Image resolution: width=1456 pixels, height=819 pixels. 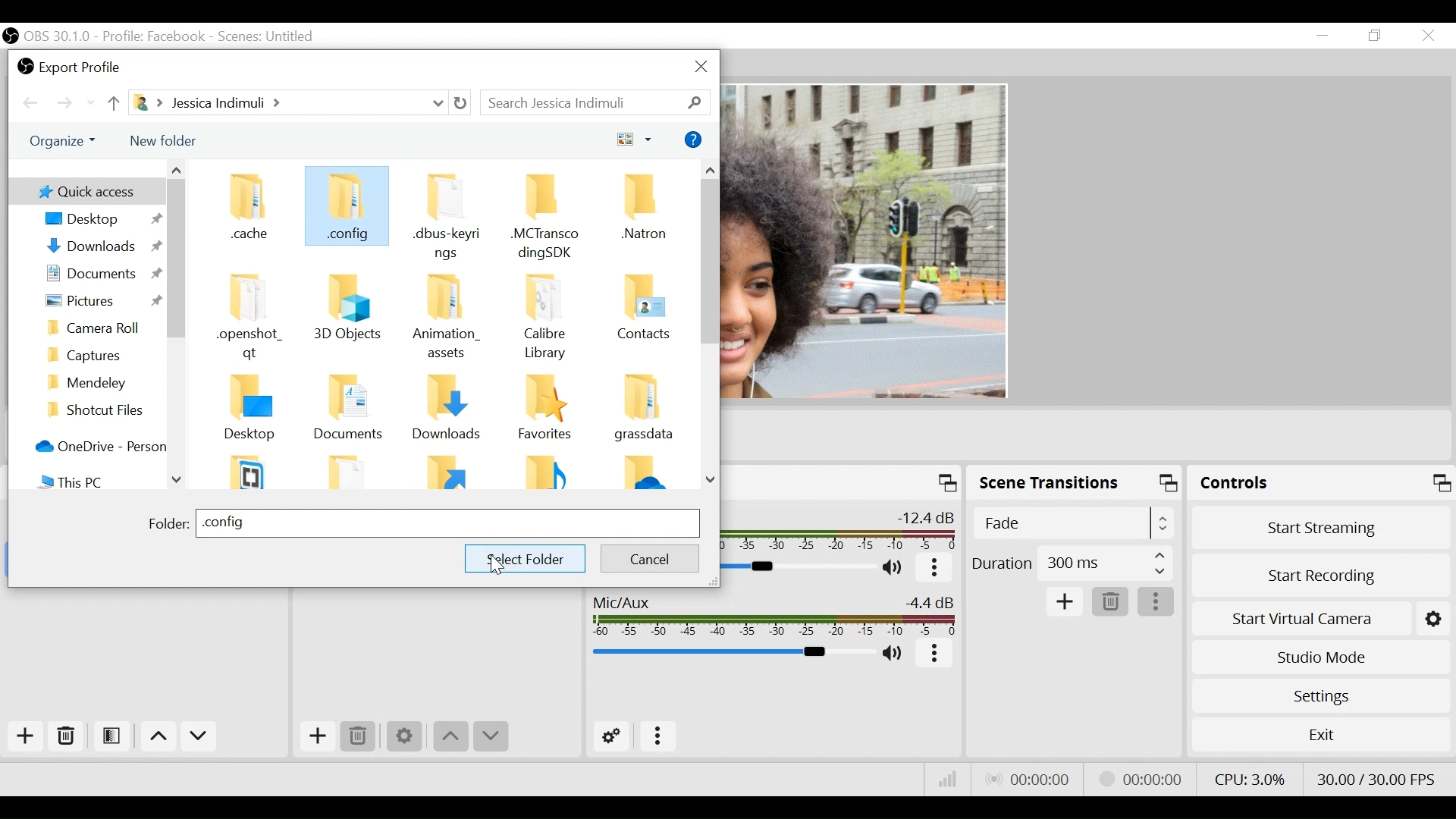 I want to click on New Folder, so click(x=163, y=142).